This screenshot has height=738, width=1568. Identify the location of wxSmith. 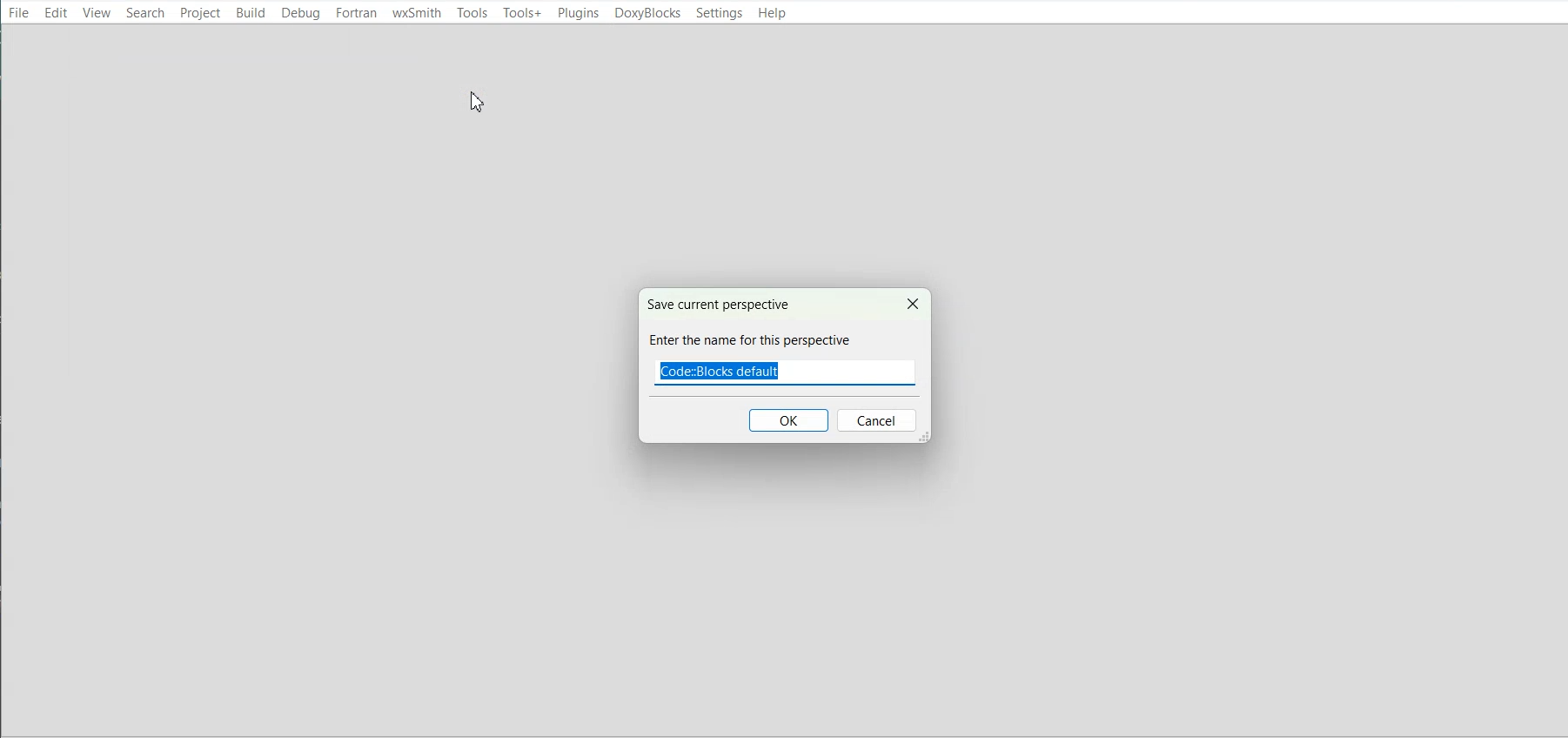
(417, 13).